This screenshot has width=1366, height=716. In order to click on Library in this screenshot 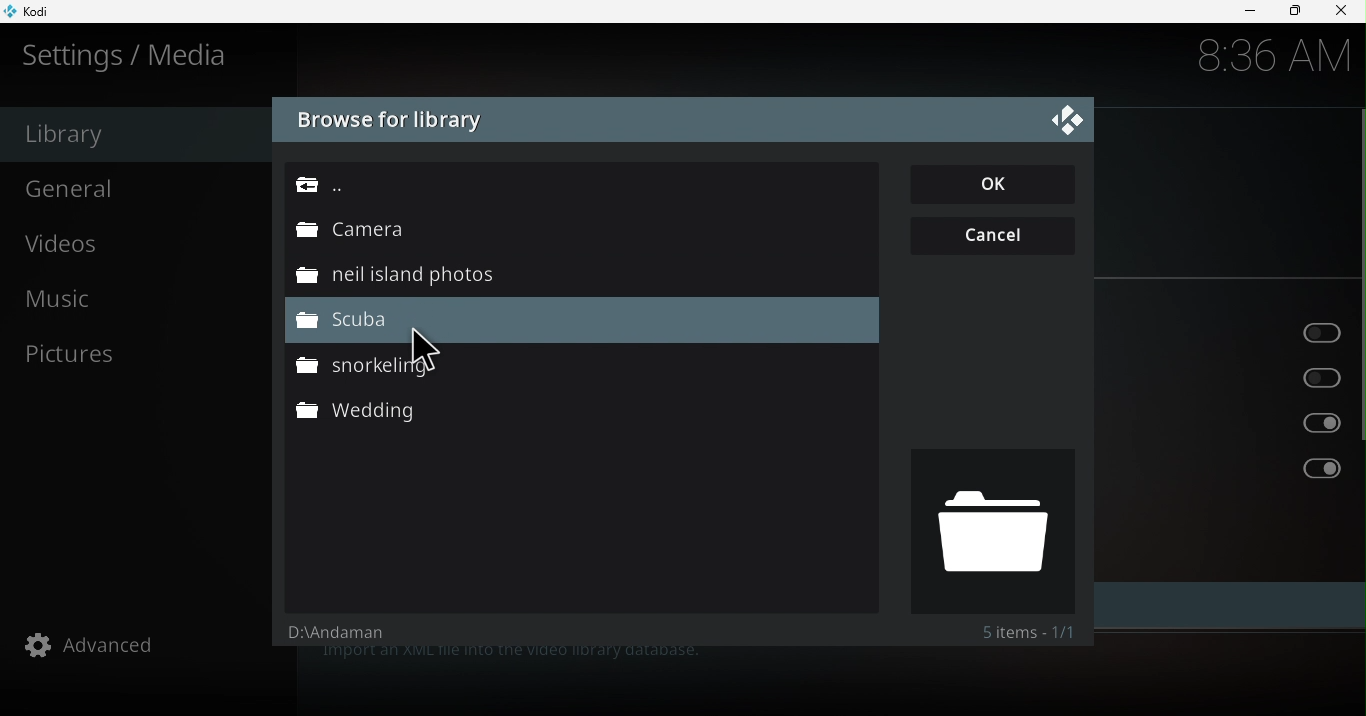, I will do `click(133, 134)`.